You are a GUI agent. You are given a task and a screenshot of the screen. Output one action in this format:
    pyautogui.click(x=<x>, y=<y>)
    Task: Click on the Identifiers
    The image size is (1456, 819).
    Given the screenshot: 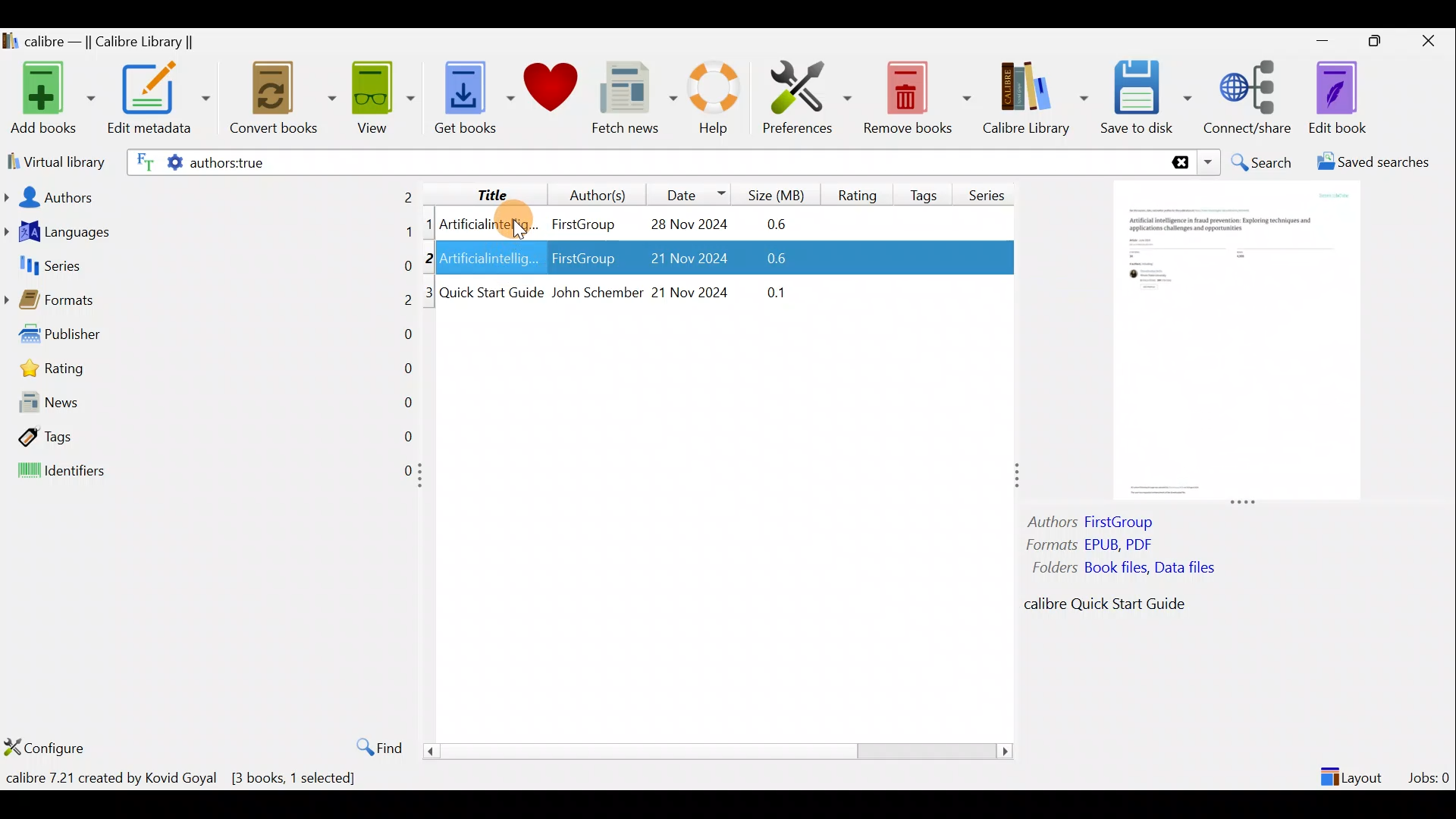 What is the action you would take?
    pyautogui.click(x=206, y=472)
    